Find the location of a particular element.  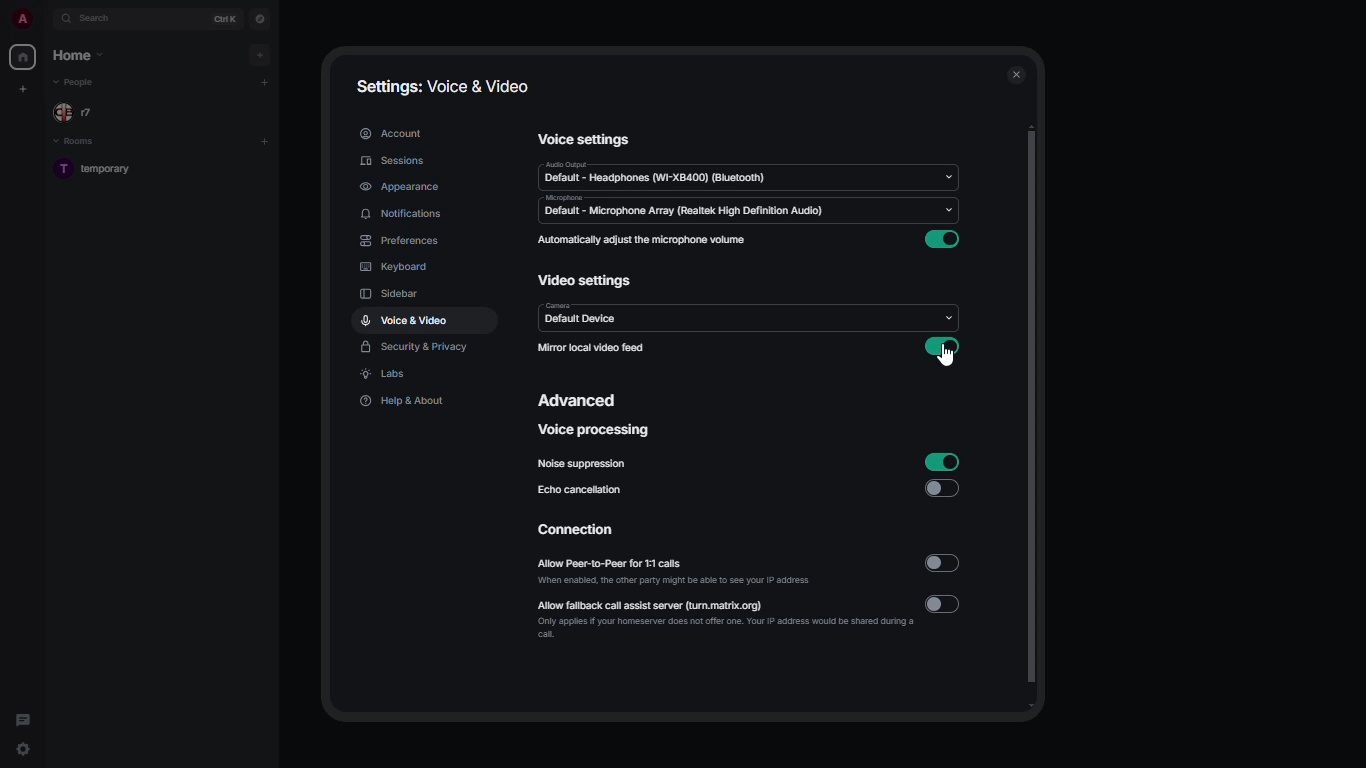

enabled is located at coordinates (946, 241).